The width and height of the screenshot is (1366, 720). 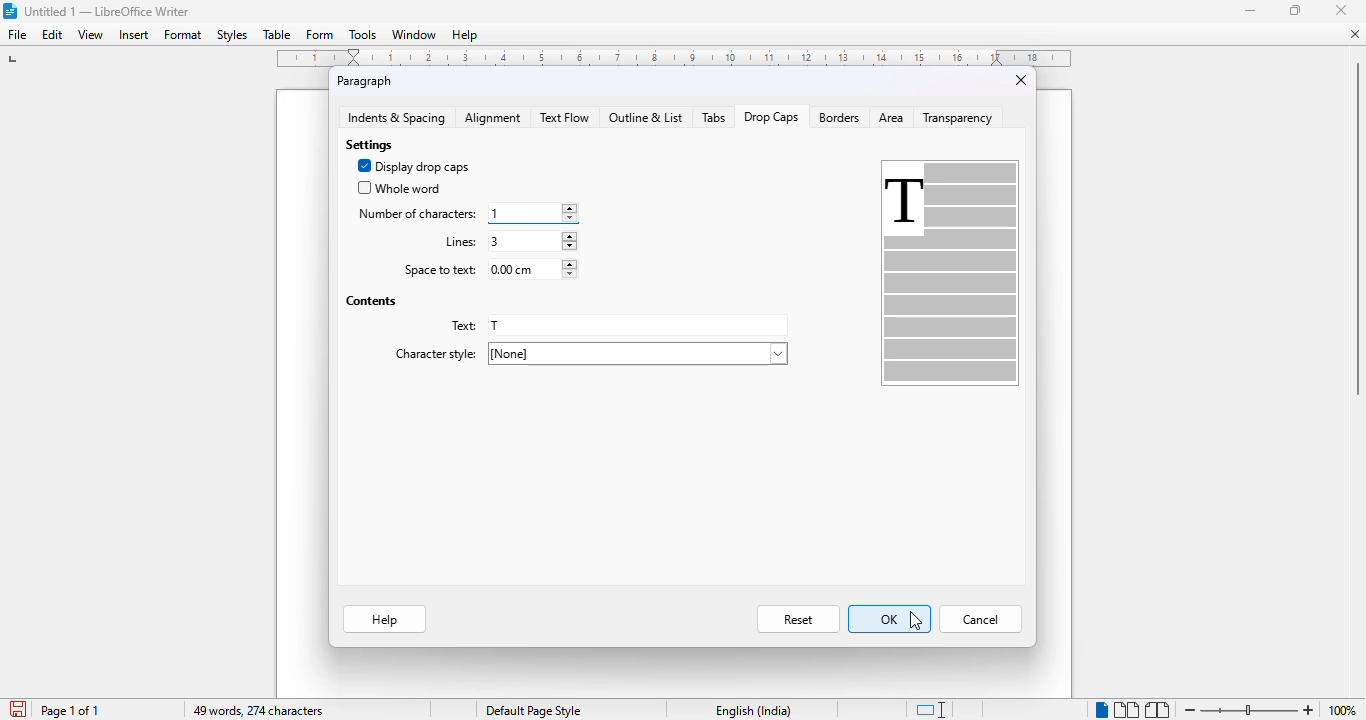 What do you see at coordinates (371, 145) in the screenshot?
I see `settings` at bounding box center [371, 145].